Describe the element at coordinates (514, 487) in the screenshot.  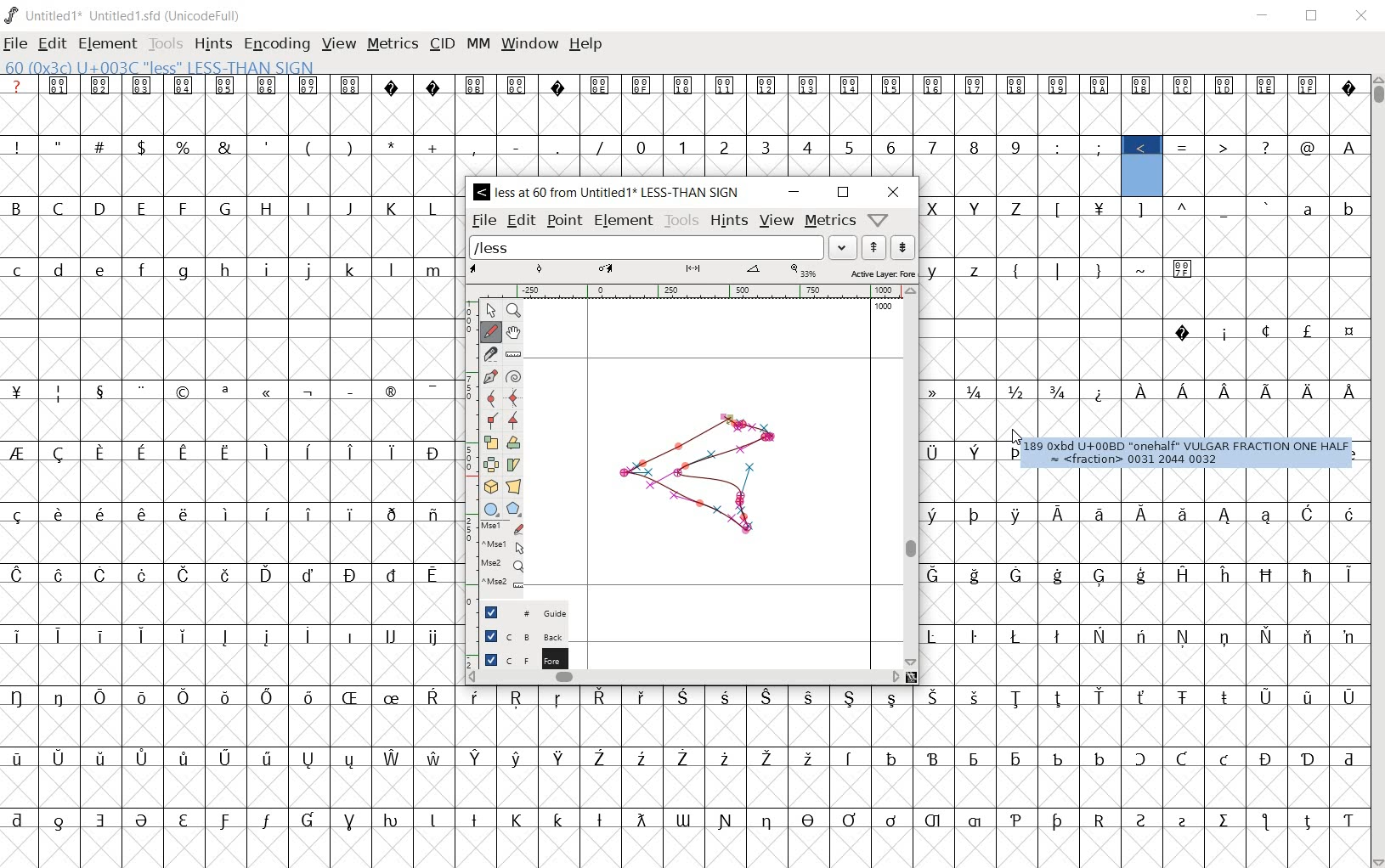
I see `perform a perspective transformation on the selection` at that location.